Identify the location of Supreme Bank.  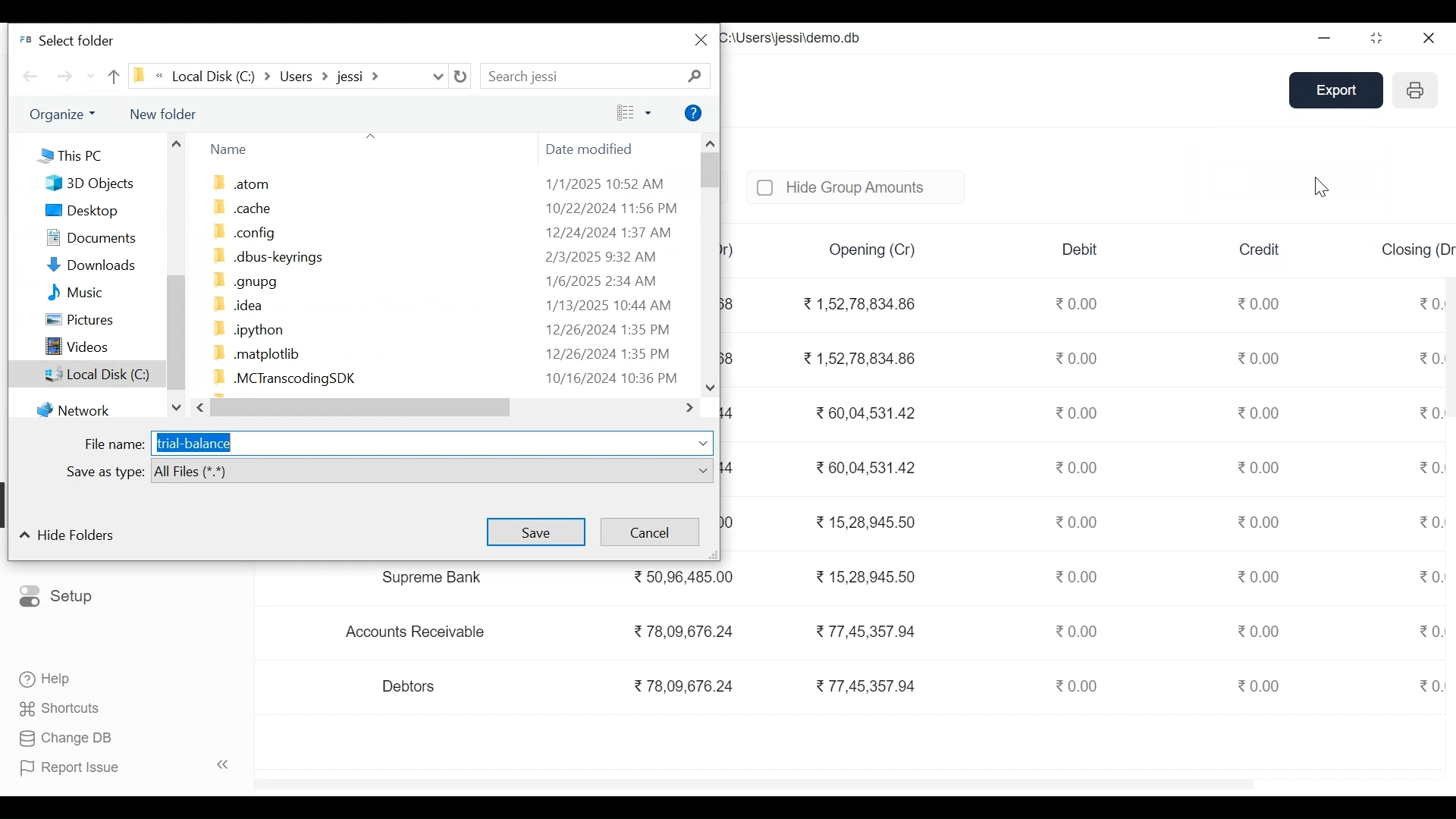
(438, 577).